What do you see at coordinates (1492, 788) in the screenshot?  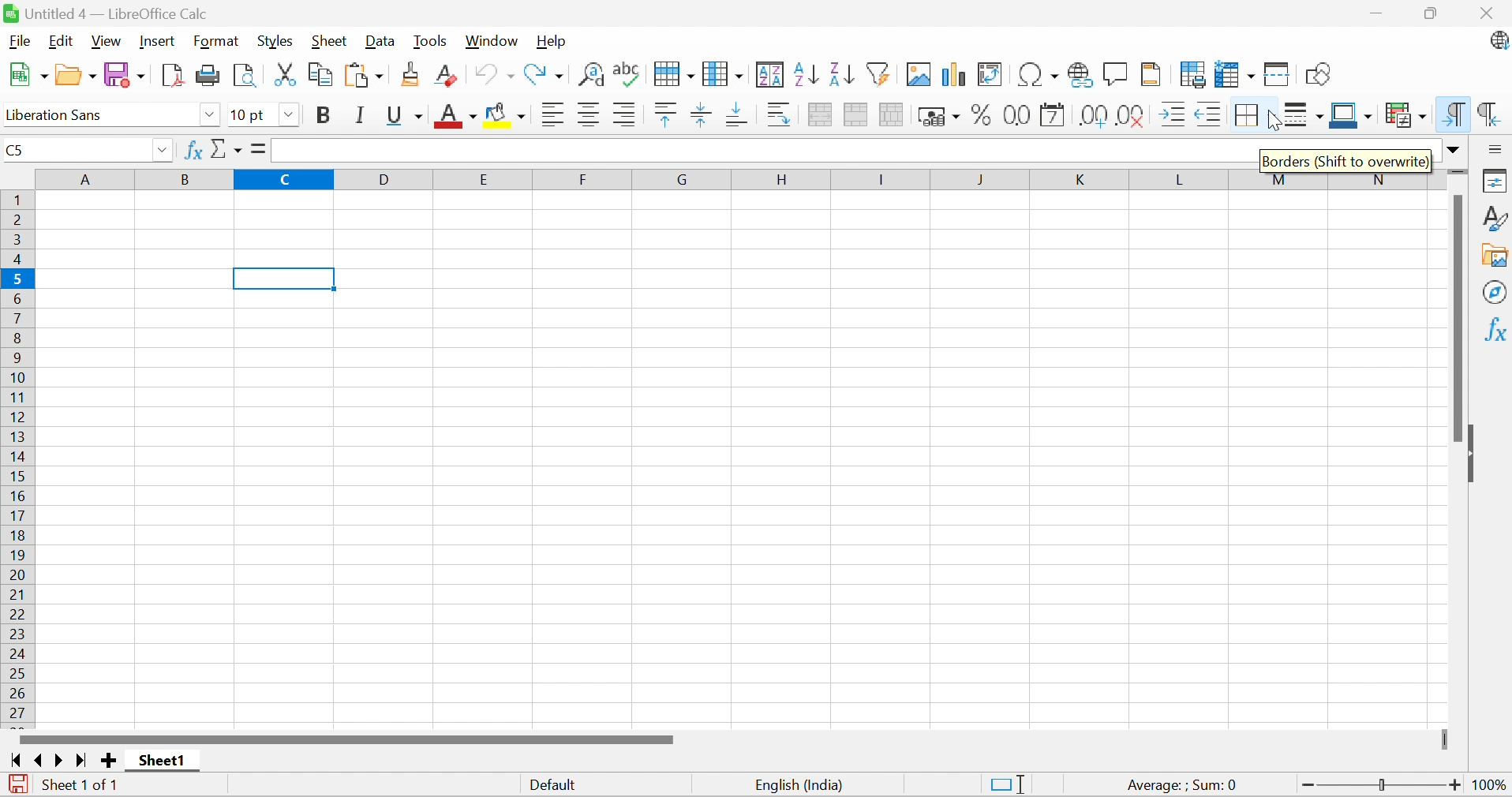 I see `100%` at bounding box center [1492, 788].